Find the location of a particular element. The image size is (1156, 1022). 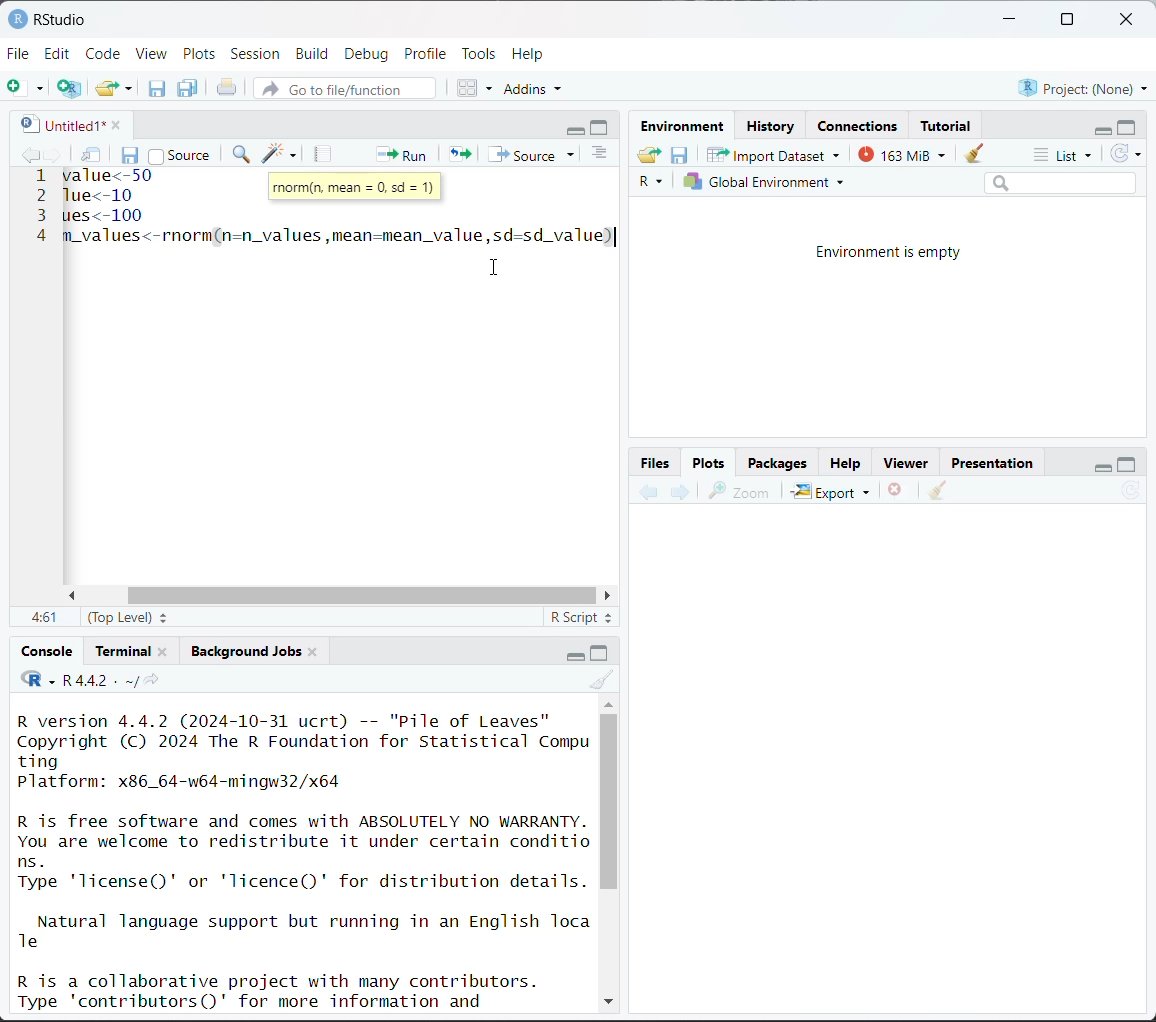

remove the current plot is located at coordinates (896, 493).